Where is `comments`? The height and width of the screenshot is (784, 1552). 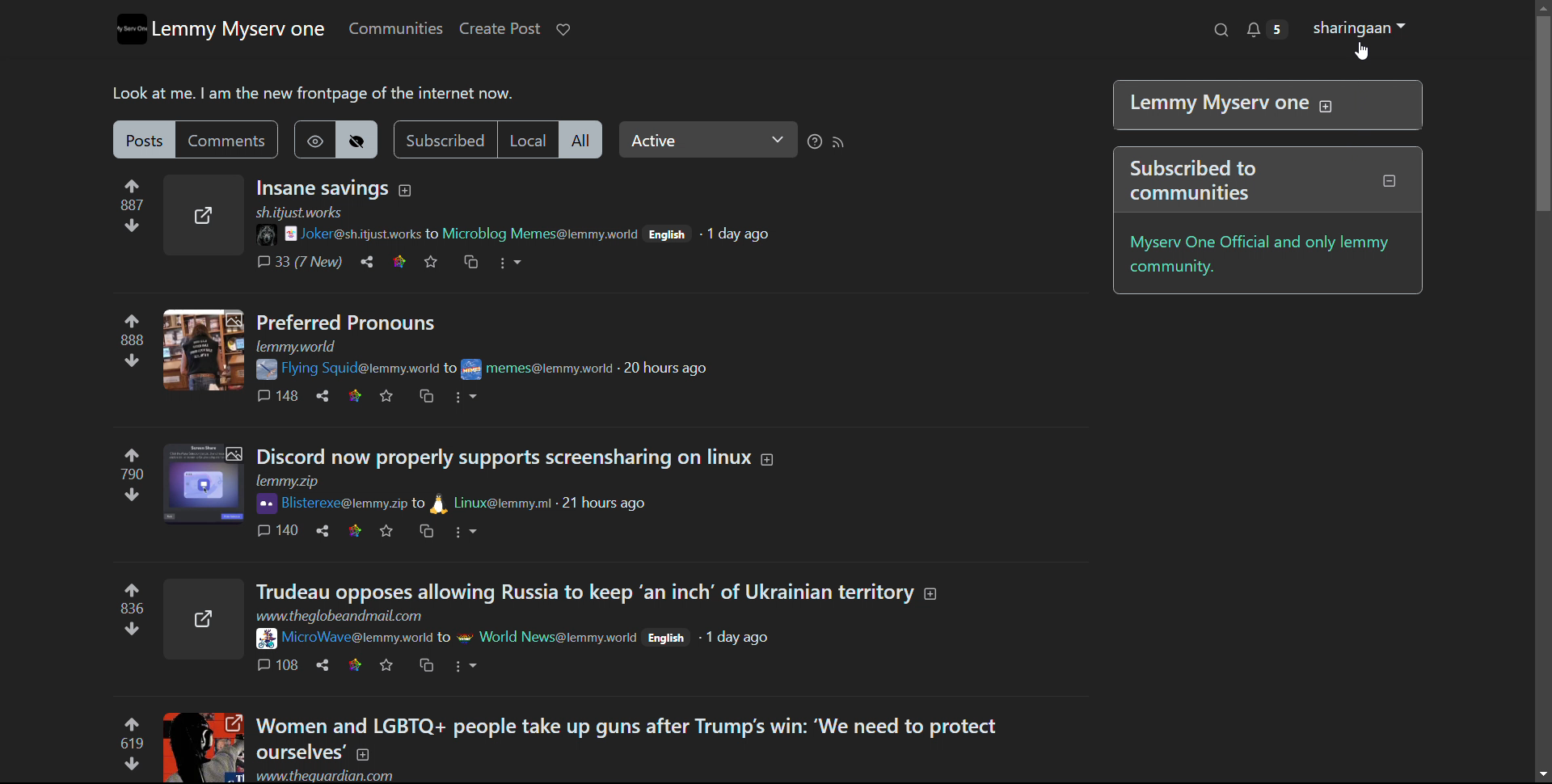
comments is located at coordinates (226, 140).